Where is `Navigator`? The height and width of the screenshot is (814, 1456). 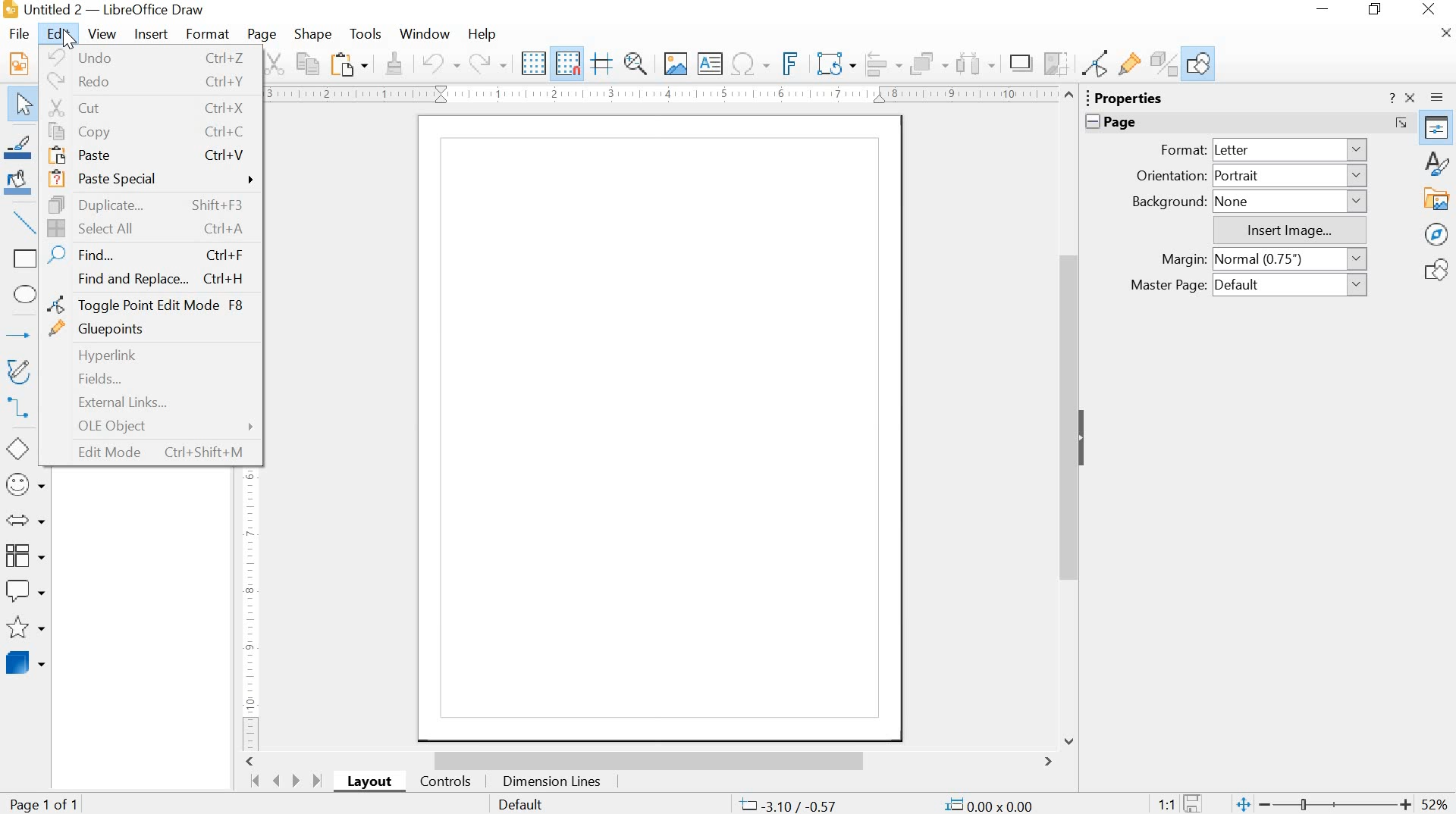 Navigator is located at coordinates (1436, 235).